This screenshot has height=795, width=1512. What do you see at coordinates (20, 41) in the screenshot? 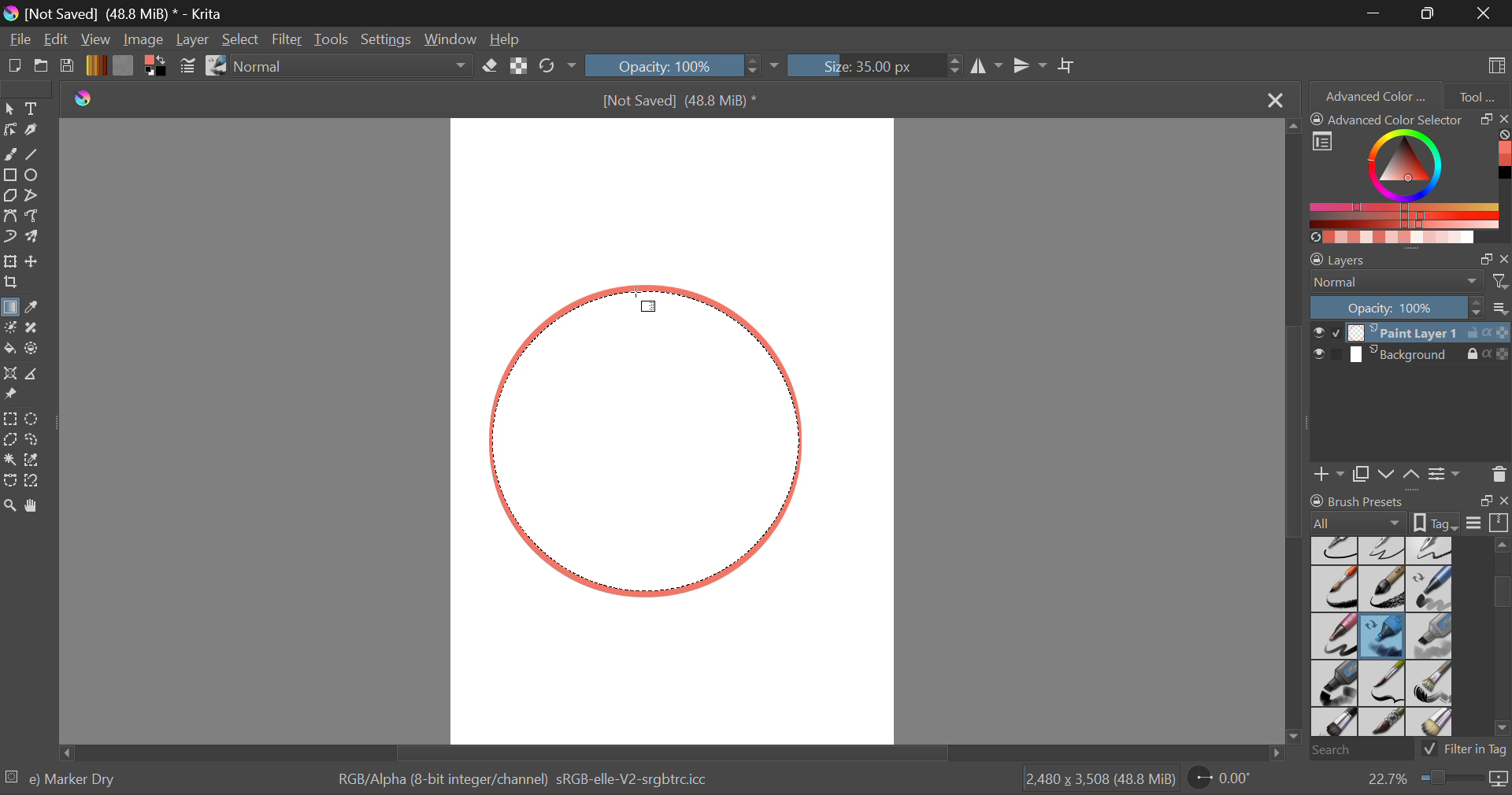
I see `File` at bounding box center [20, 41].